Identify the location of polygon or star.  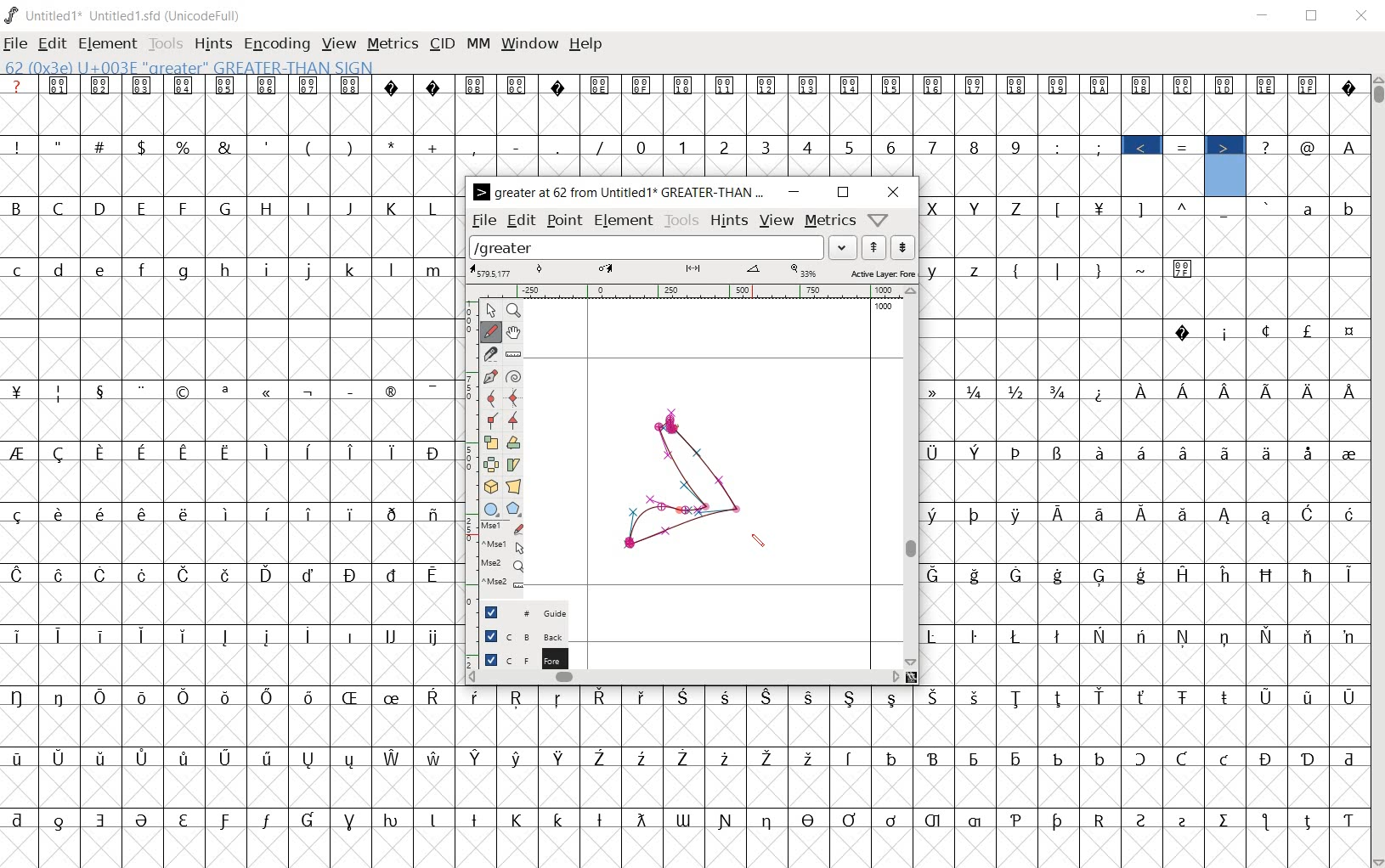
(514, 508).